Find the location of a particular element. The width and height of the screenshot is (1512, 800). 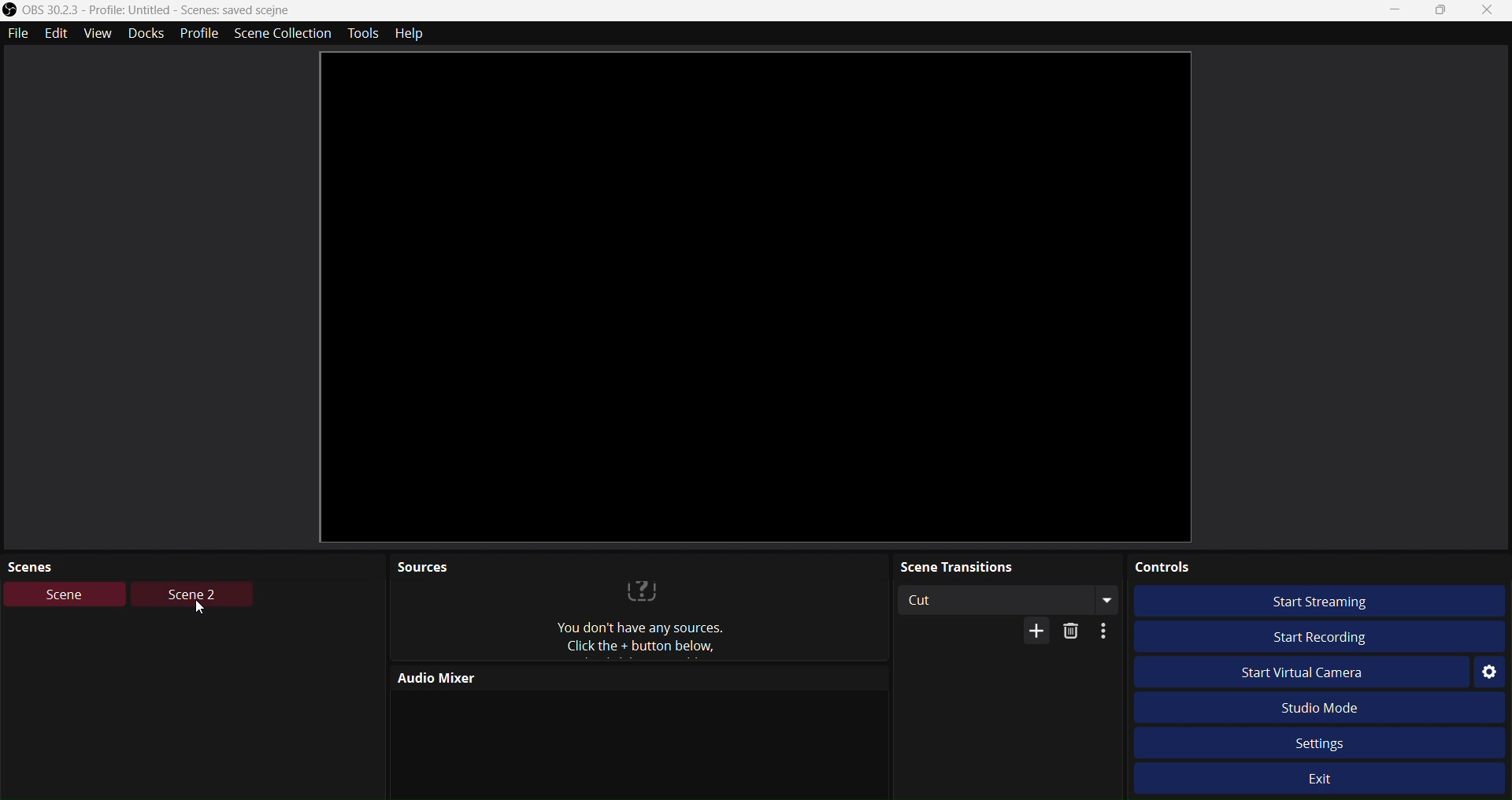

File is located at coordinates (17, 35).